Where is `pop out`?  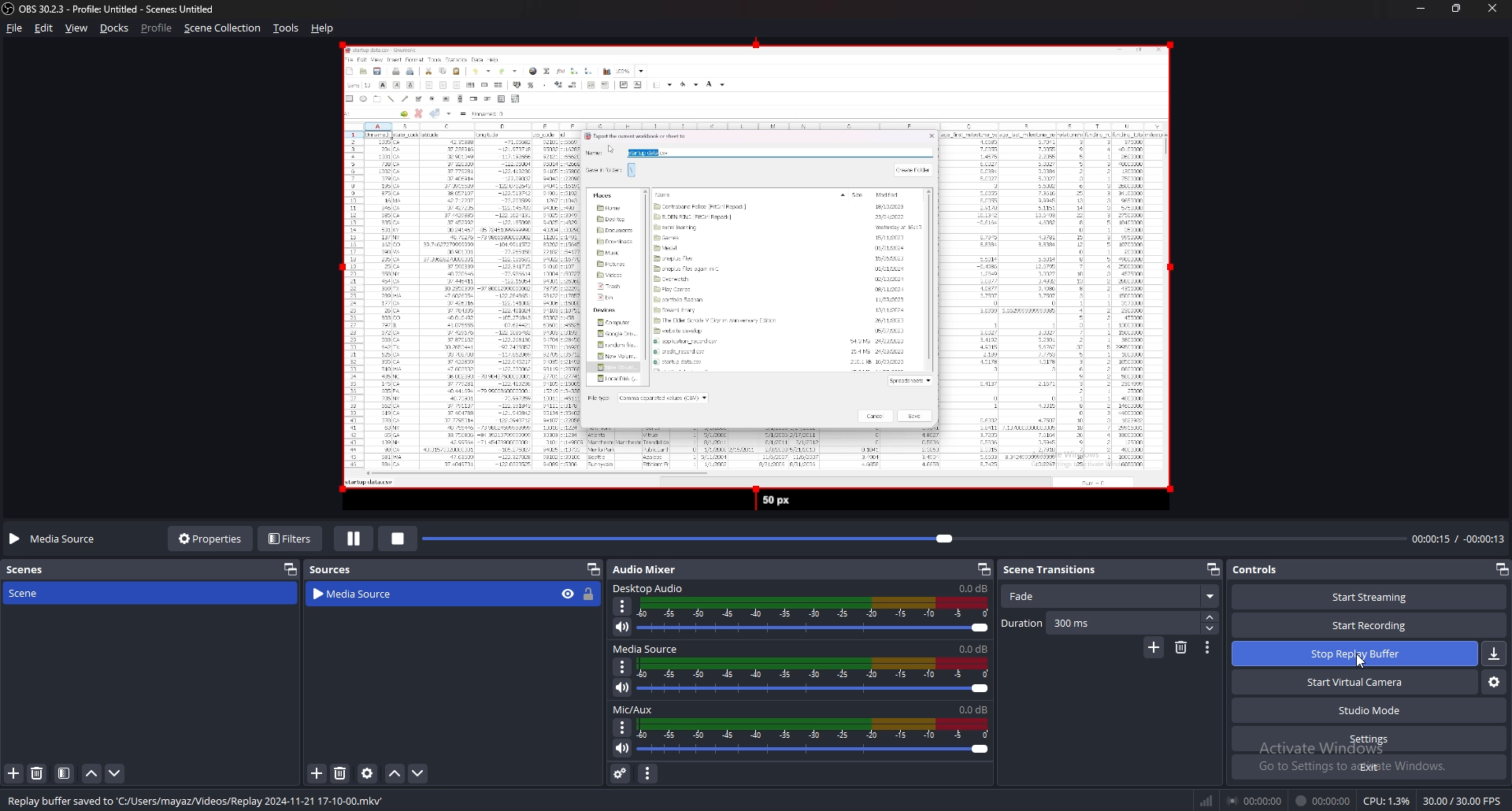
pop out is located at coordinates (291, 569).